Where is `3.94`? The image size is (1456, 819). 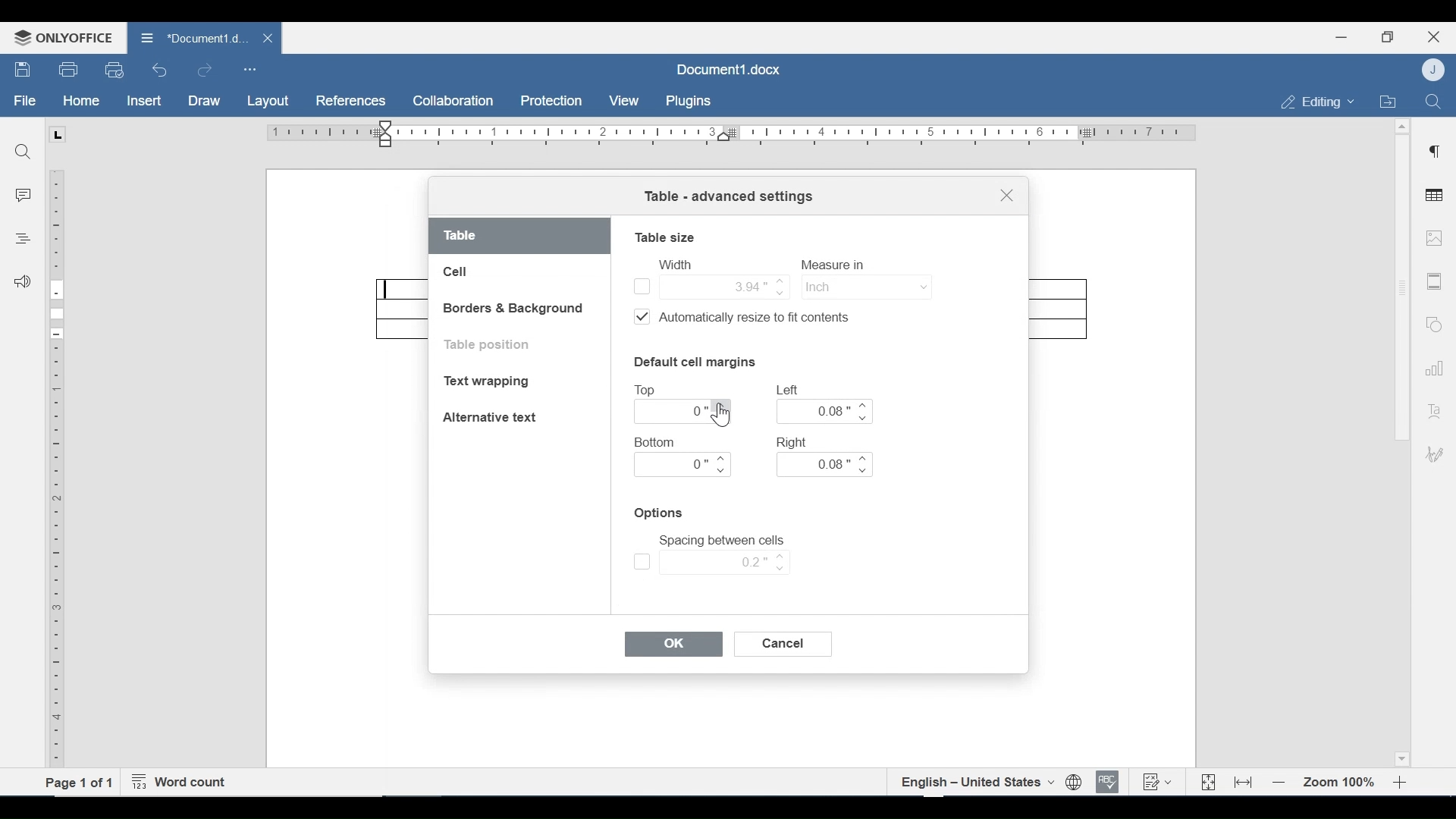 3.94 is located at coordinates (710, 285).